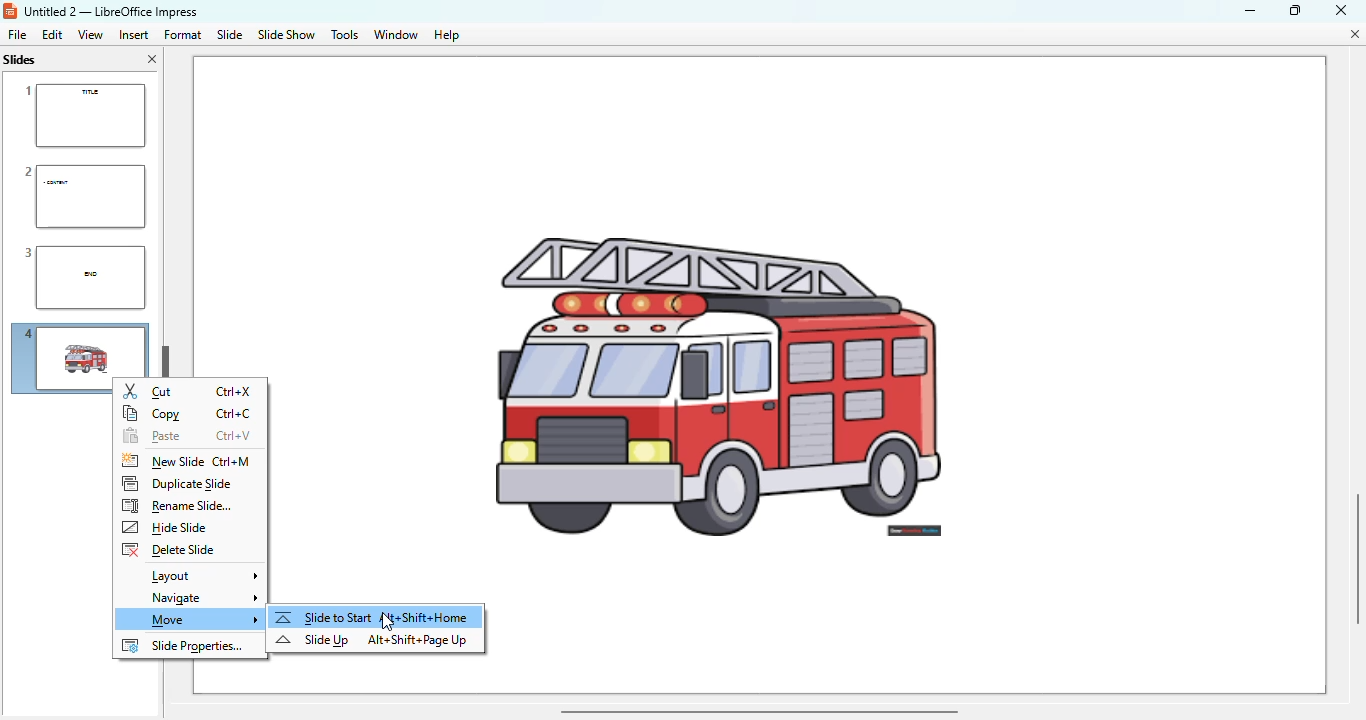  What do you see at coordinates (417, 640) in the screenshot?
I see `shortcut for slide up` at bounding box center [417, 640].